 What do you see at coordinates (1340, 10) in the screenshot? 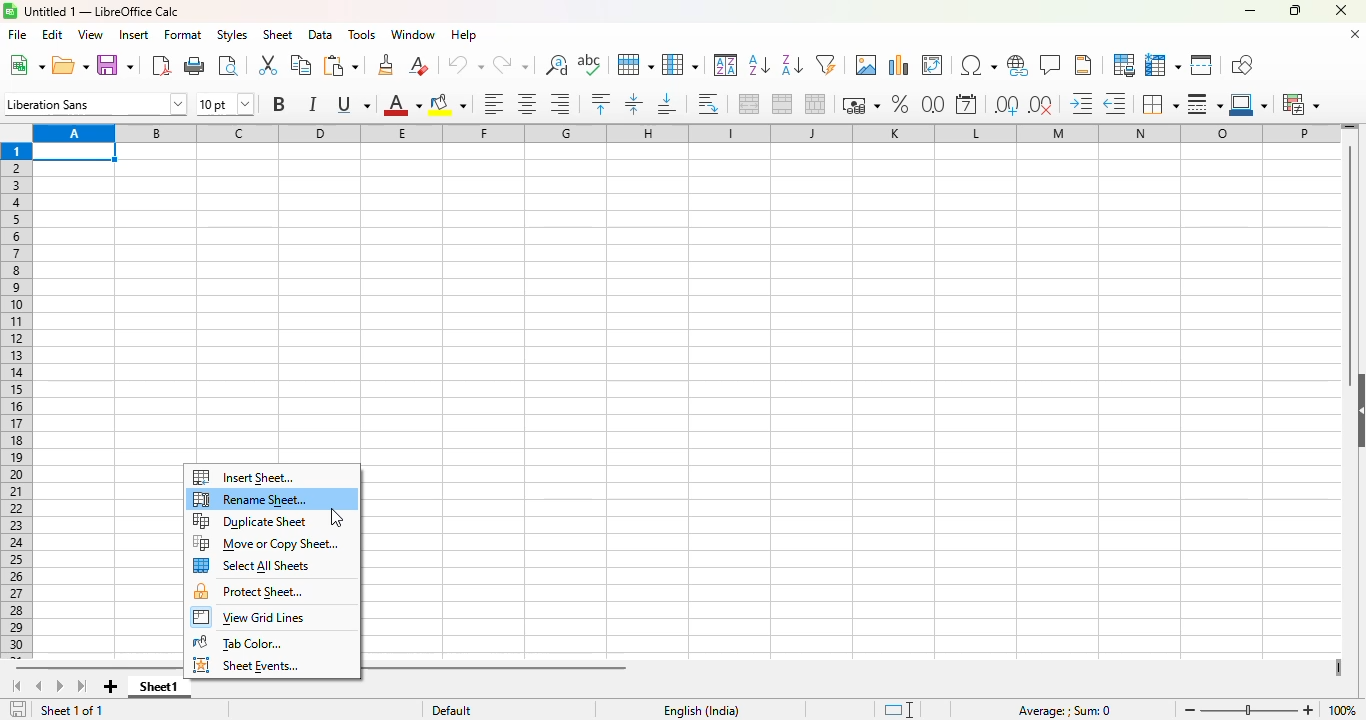
I see `close` at bounding box center [1340, 10].